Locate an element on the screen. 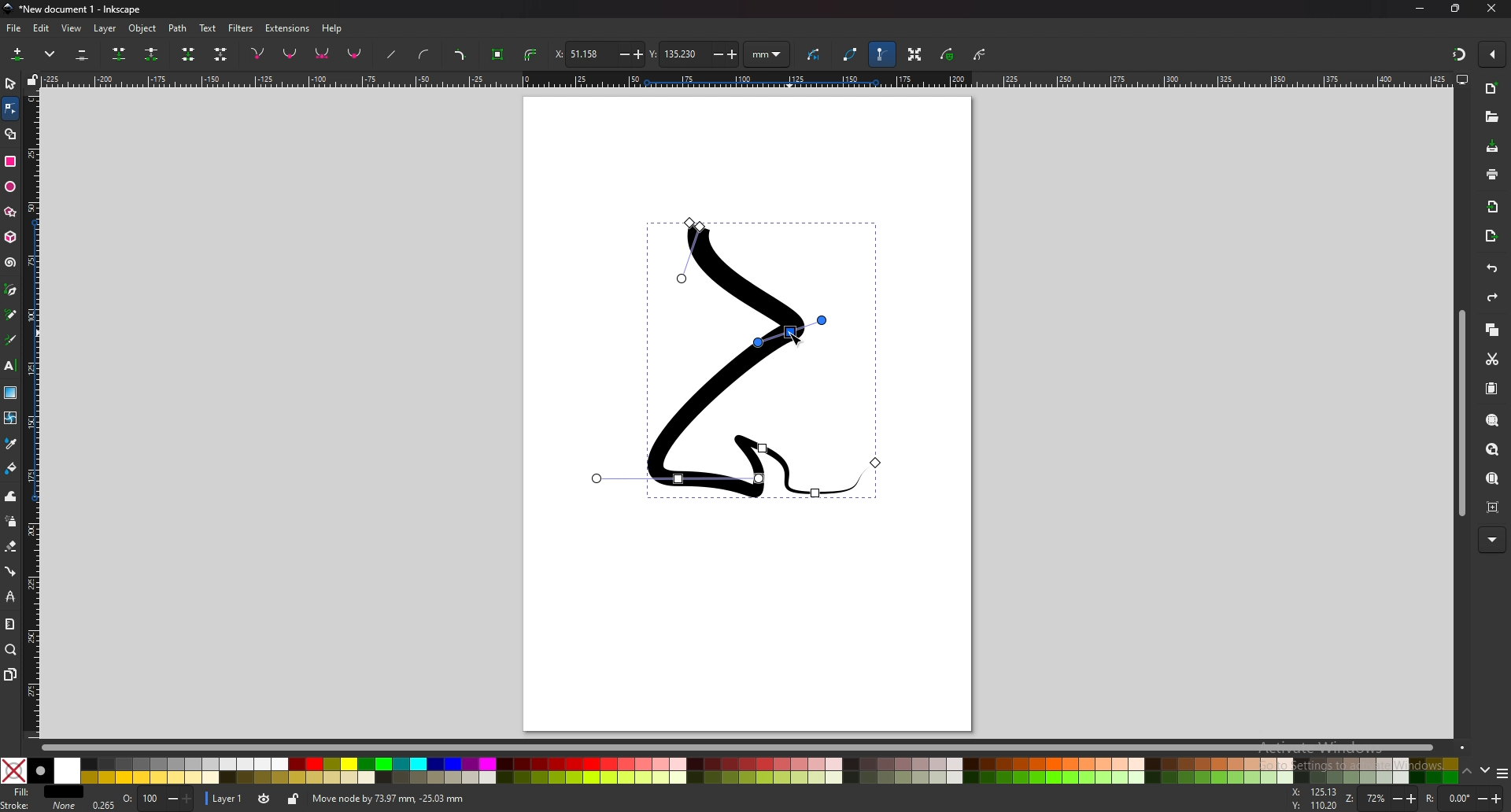  vertical scale is located at coordinates (31, 413).